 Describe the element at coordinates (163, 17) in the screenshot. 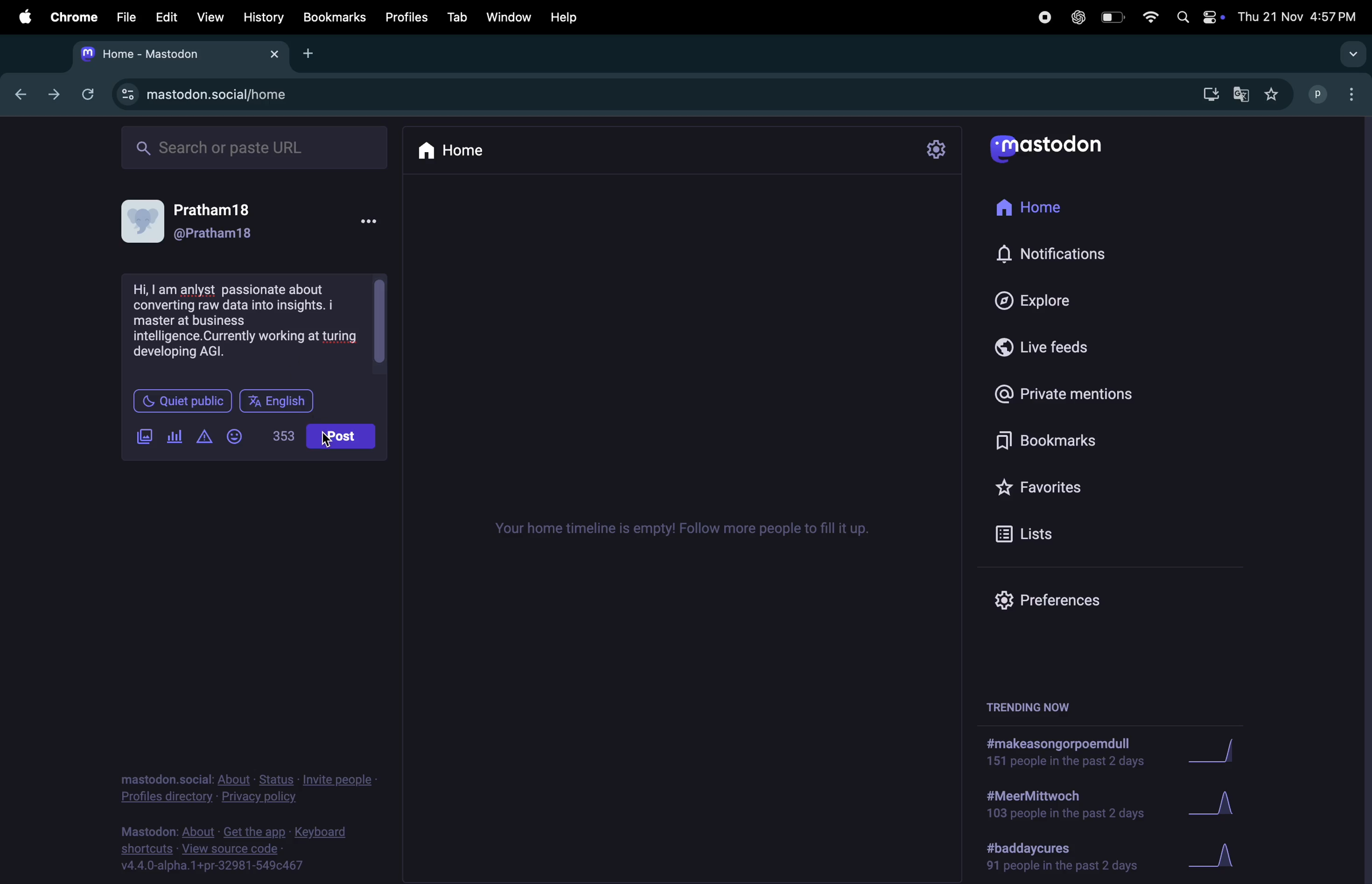

I see `edit` at that location.